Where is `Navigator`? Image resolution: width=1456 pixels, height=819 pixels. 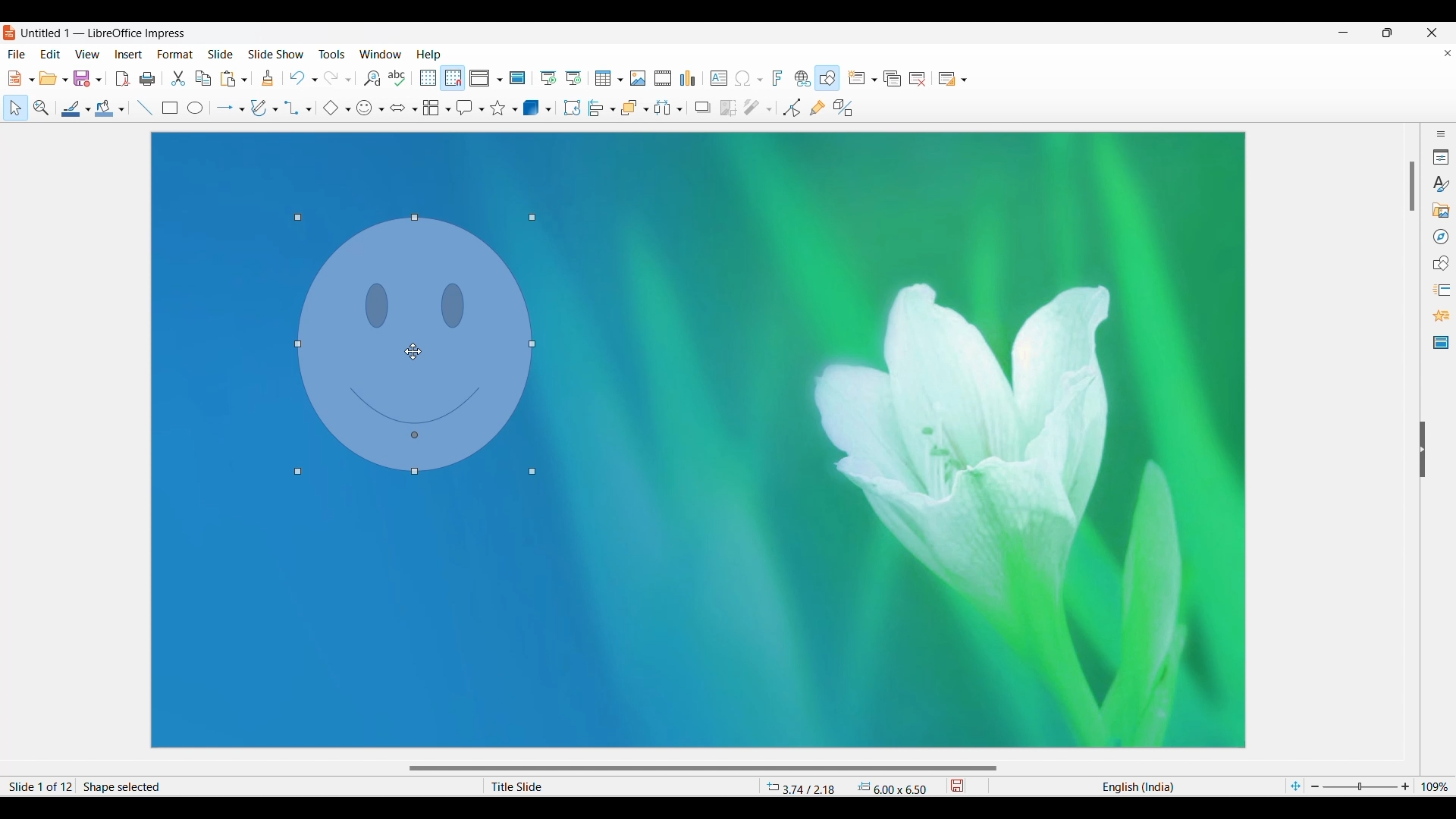
Navigator is located at coordinates (1442, 237).